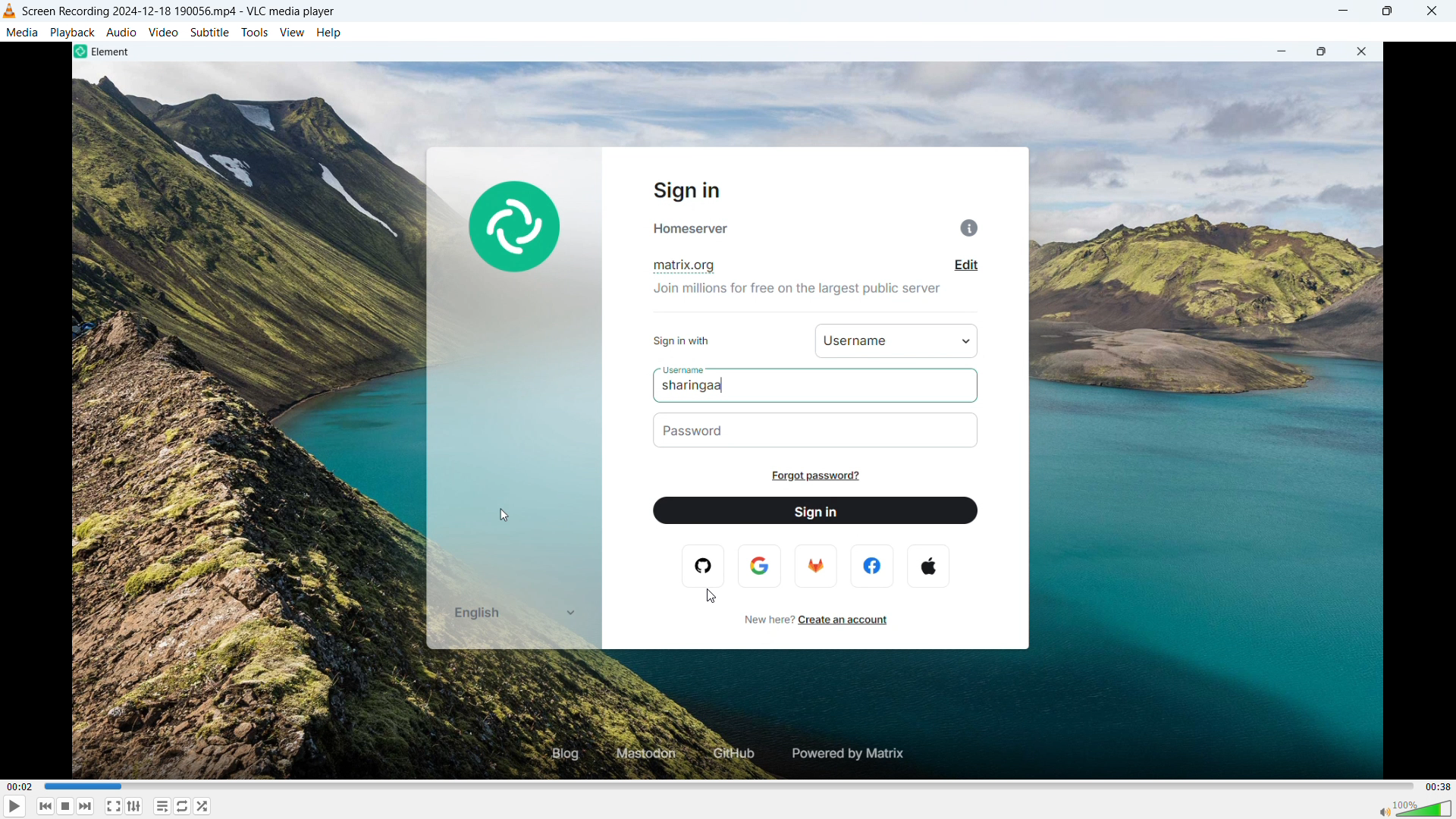  Describe the element at coordinates (1432, 11) in the screenshot. I see `close` at that location.